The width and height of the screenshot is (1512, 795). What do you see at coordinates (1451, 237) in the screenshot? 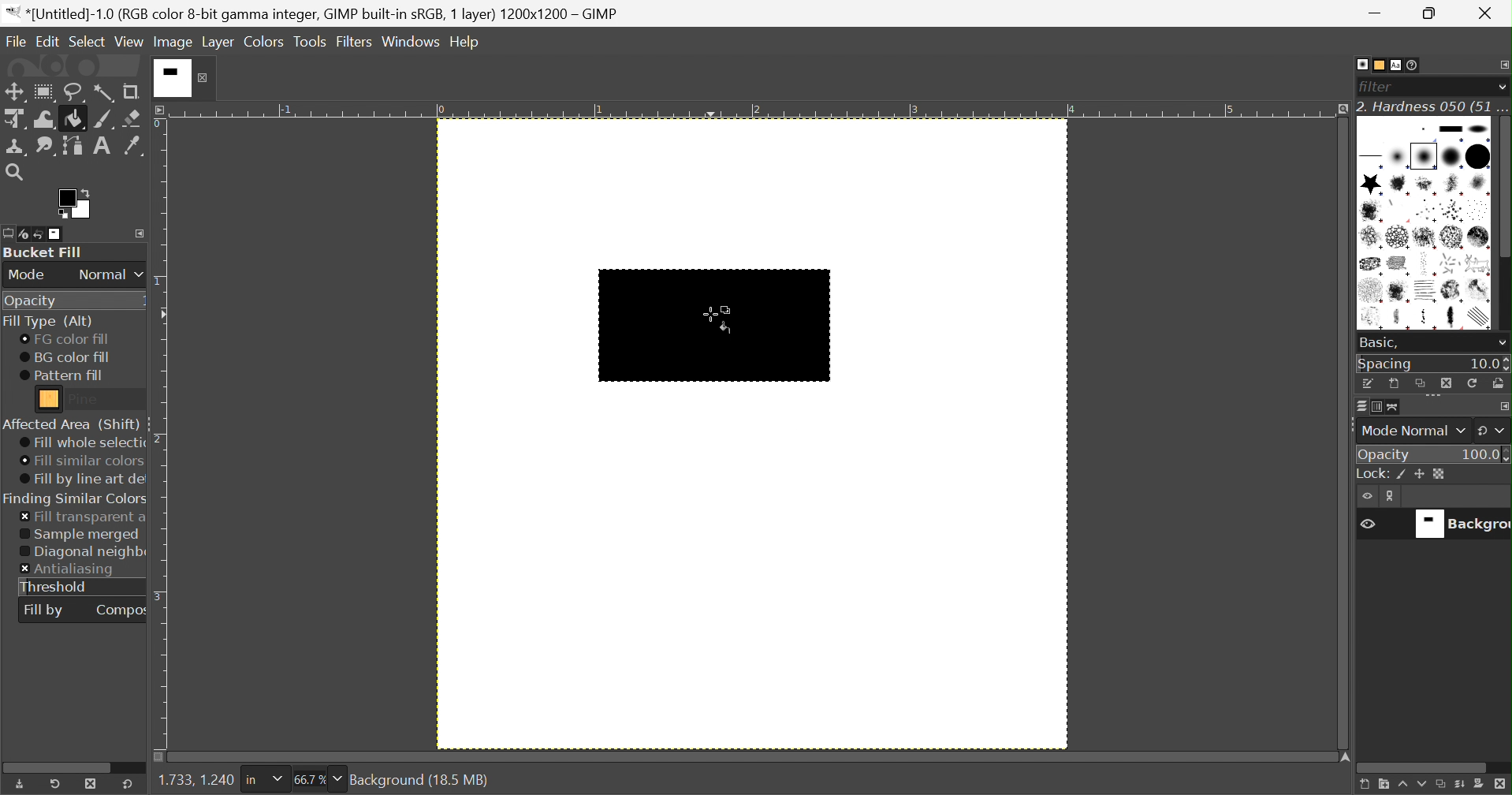
I see `Chalk 02` at bounding box center [1451, 237].